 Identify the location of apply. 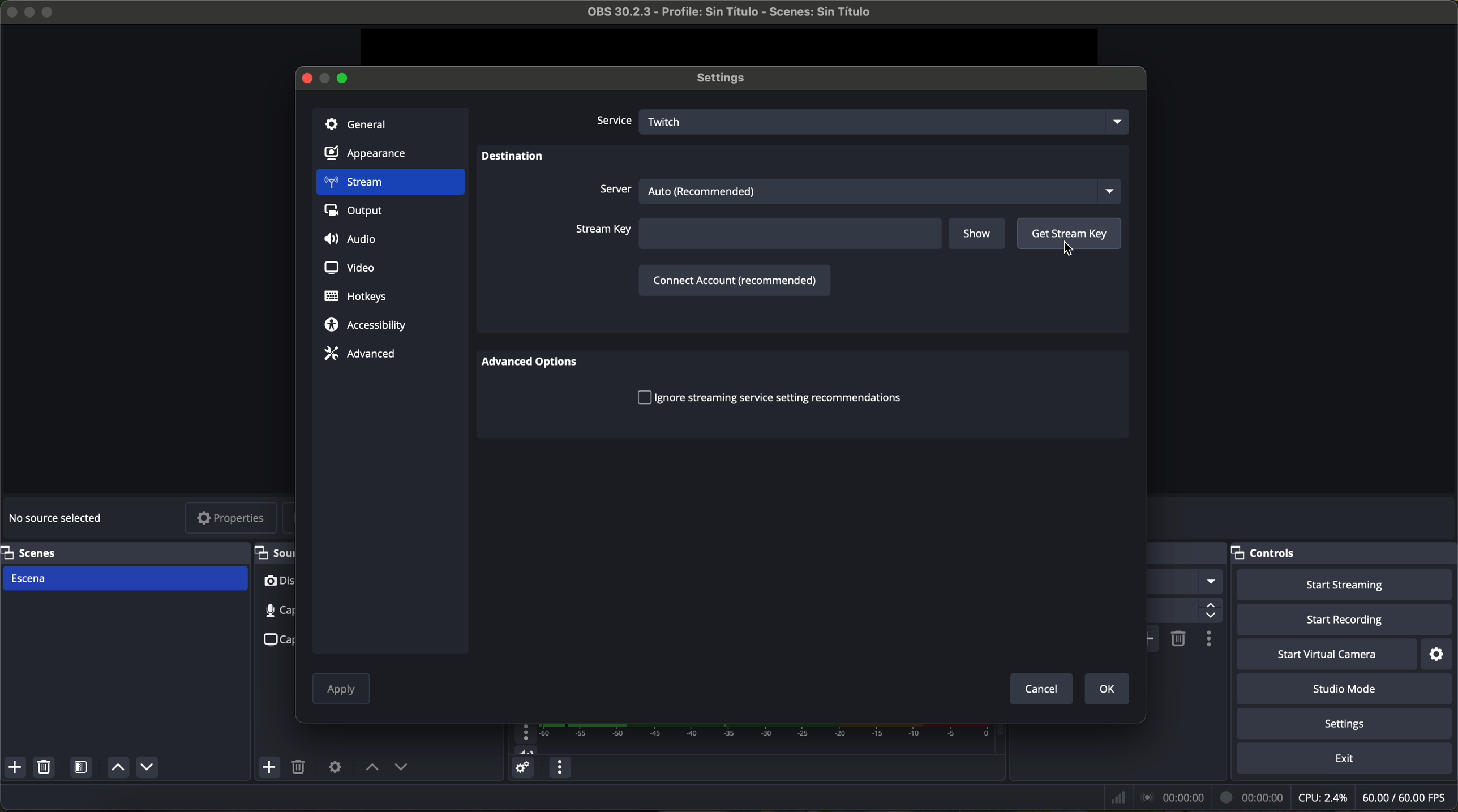
(341, 691).